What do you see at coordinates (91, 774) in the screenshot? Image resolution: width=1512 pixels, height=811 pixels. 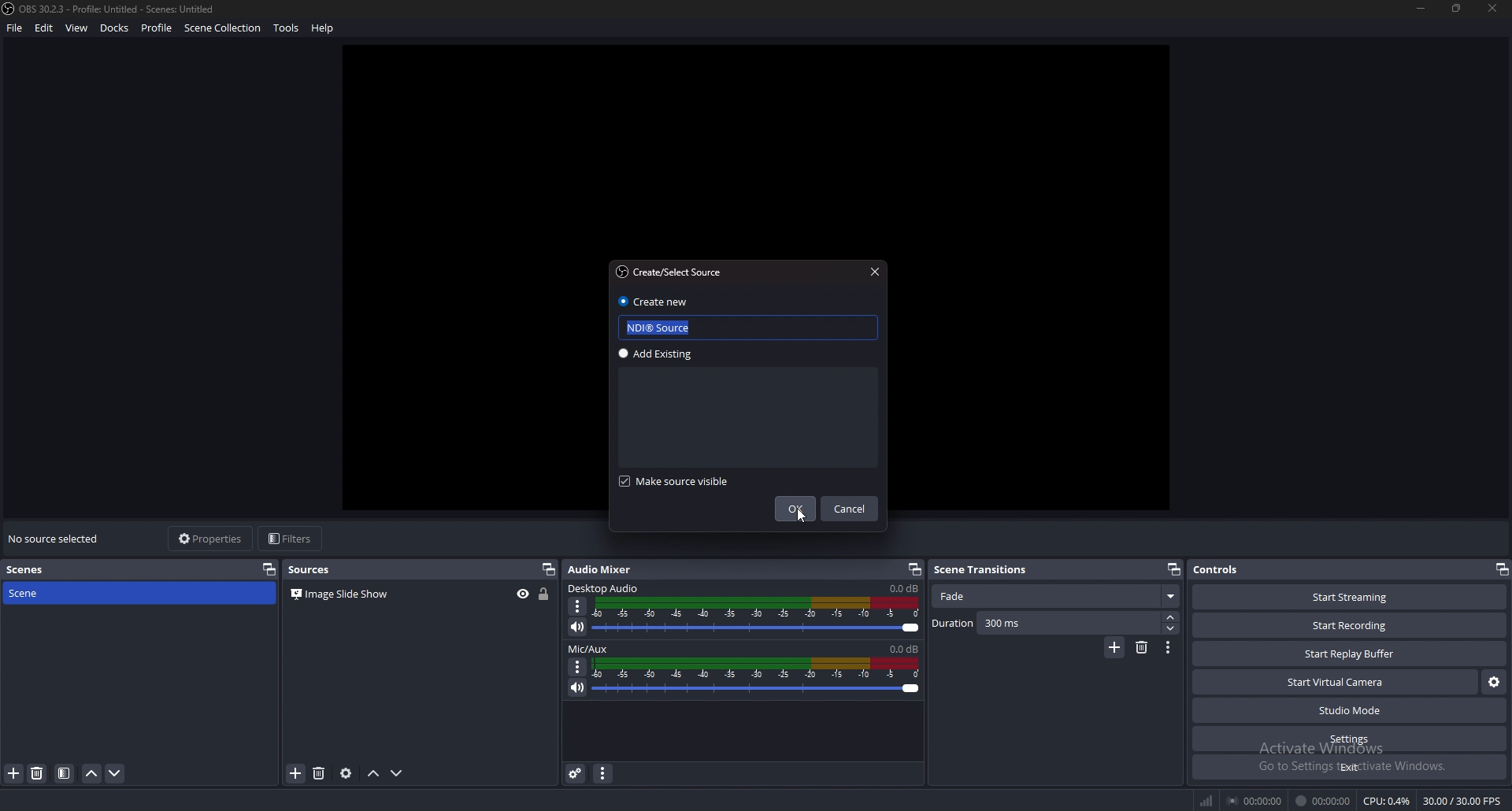 I see `move scene up` at bounding box center [91, 774].